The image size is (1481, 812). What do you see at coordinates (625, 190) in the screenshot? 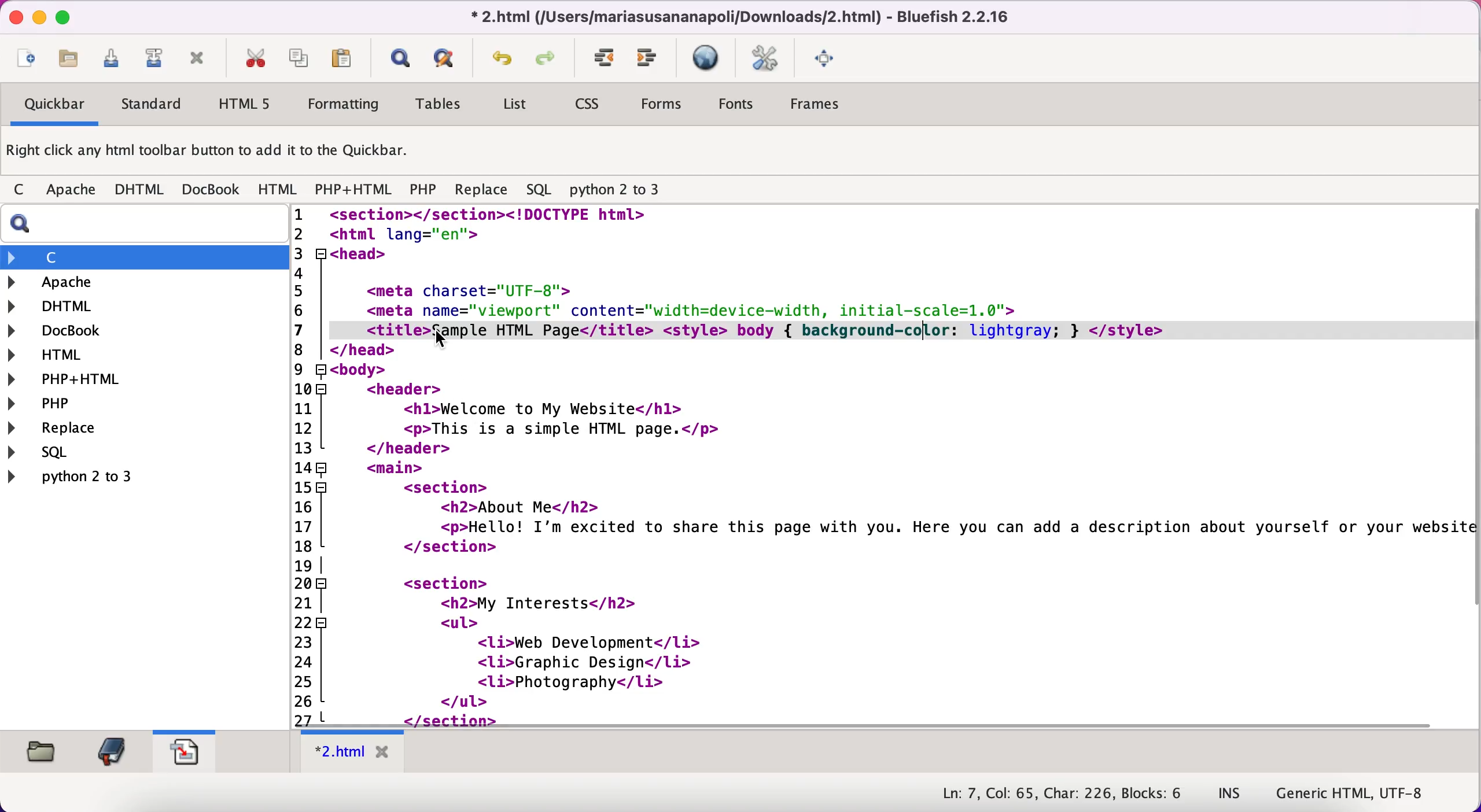
I see `python 2 to 3` at bounding box center [625, 190].